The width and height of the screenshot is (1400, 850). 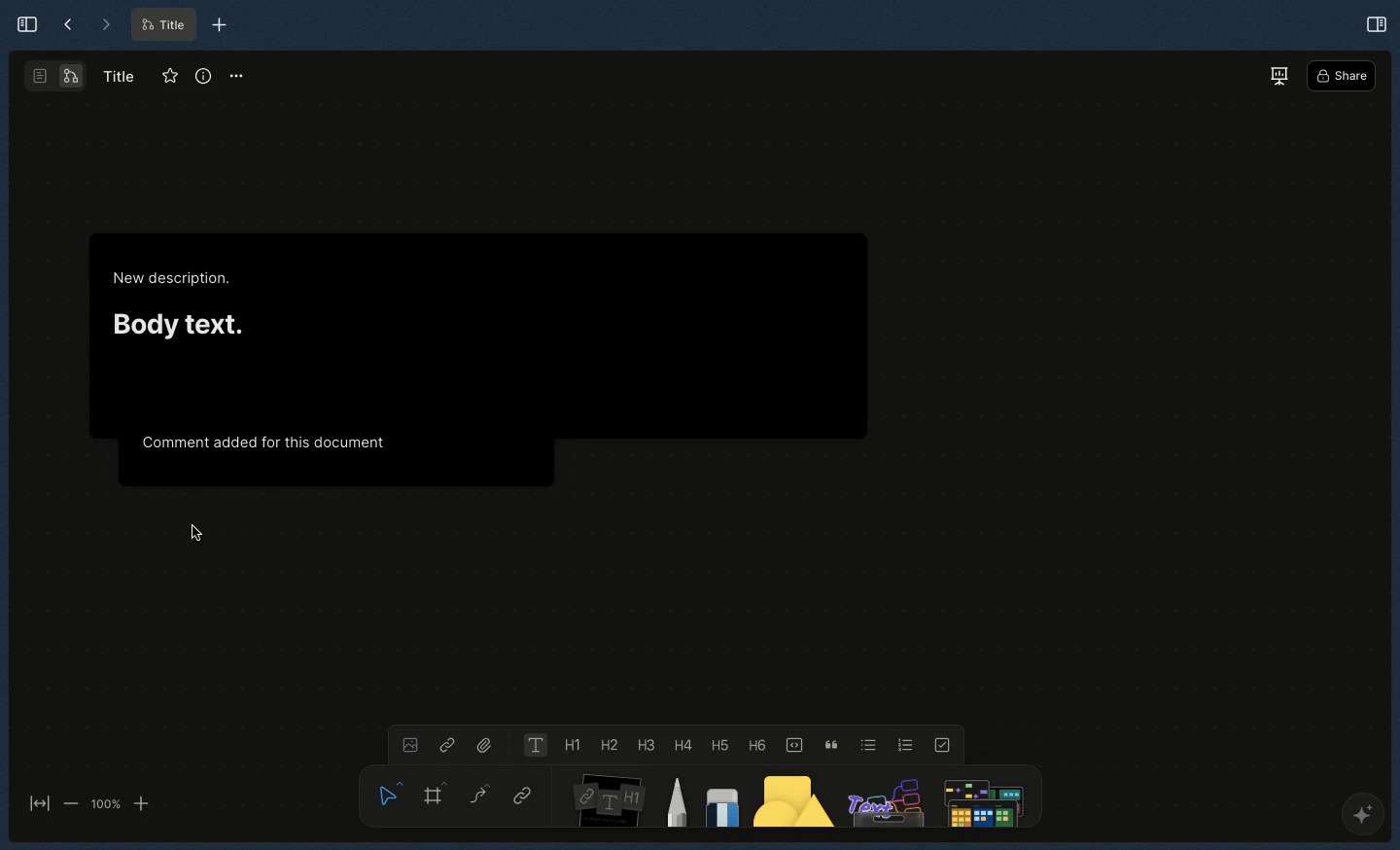 What do you see at coordinates (177, 321) in the screenshot?
I see `Body text.` at bounding box center [177, 321].